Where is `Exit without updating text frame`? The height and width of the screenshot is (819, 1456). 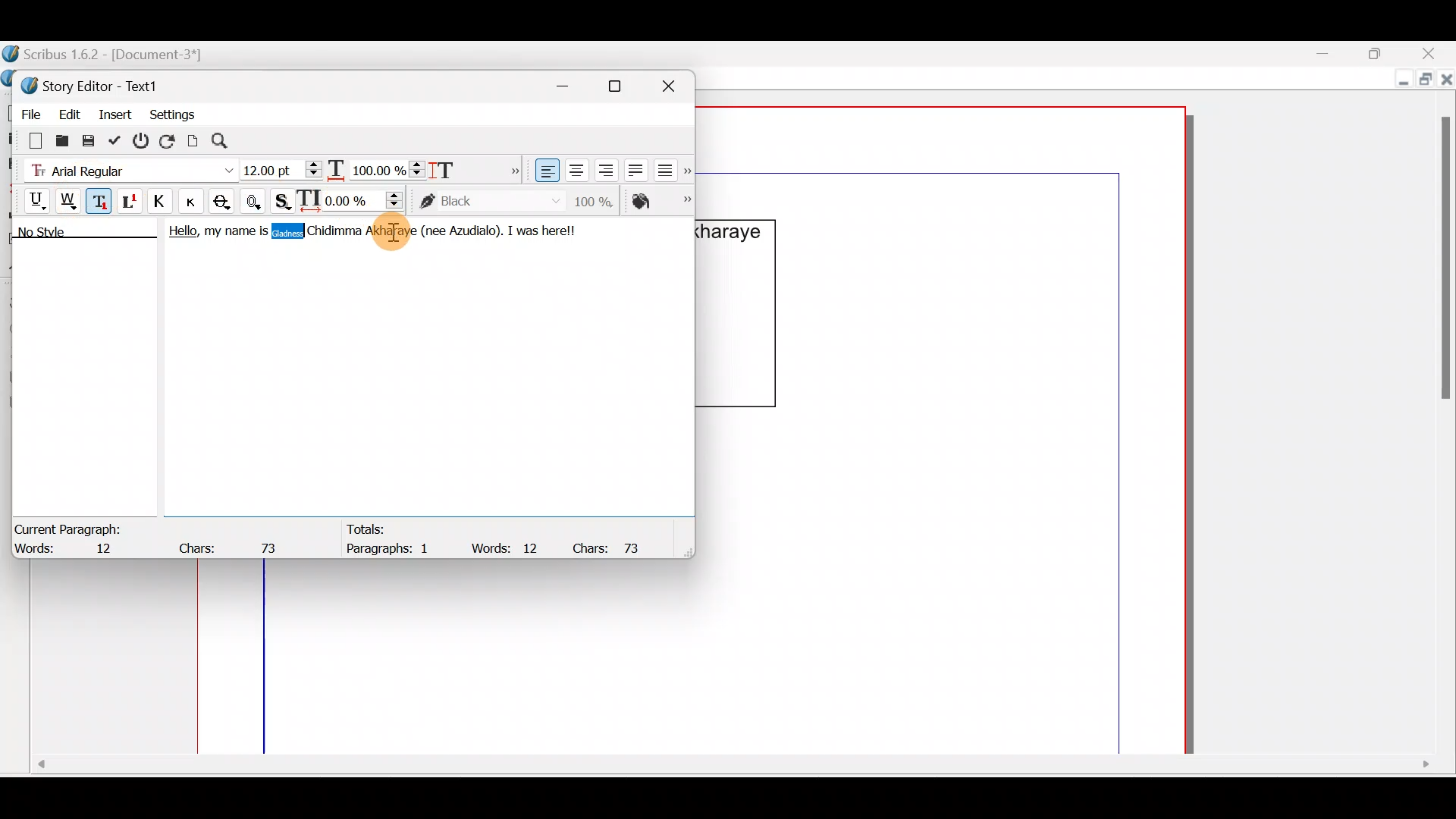 Exit without updating text frame is located at coordinates (143, 140).